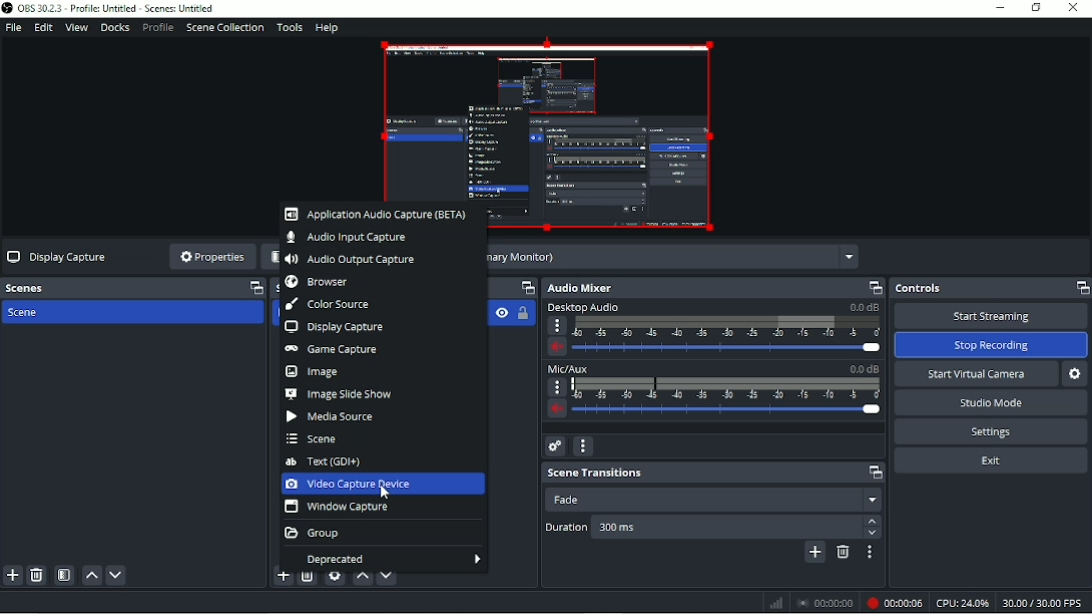 Image resolution: width=1092 pixels, height=614 pixels. Describe the element at coordinates (873, 535) in the screenshot. I see `Down arrow` at that location.